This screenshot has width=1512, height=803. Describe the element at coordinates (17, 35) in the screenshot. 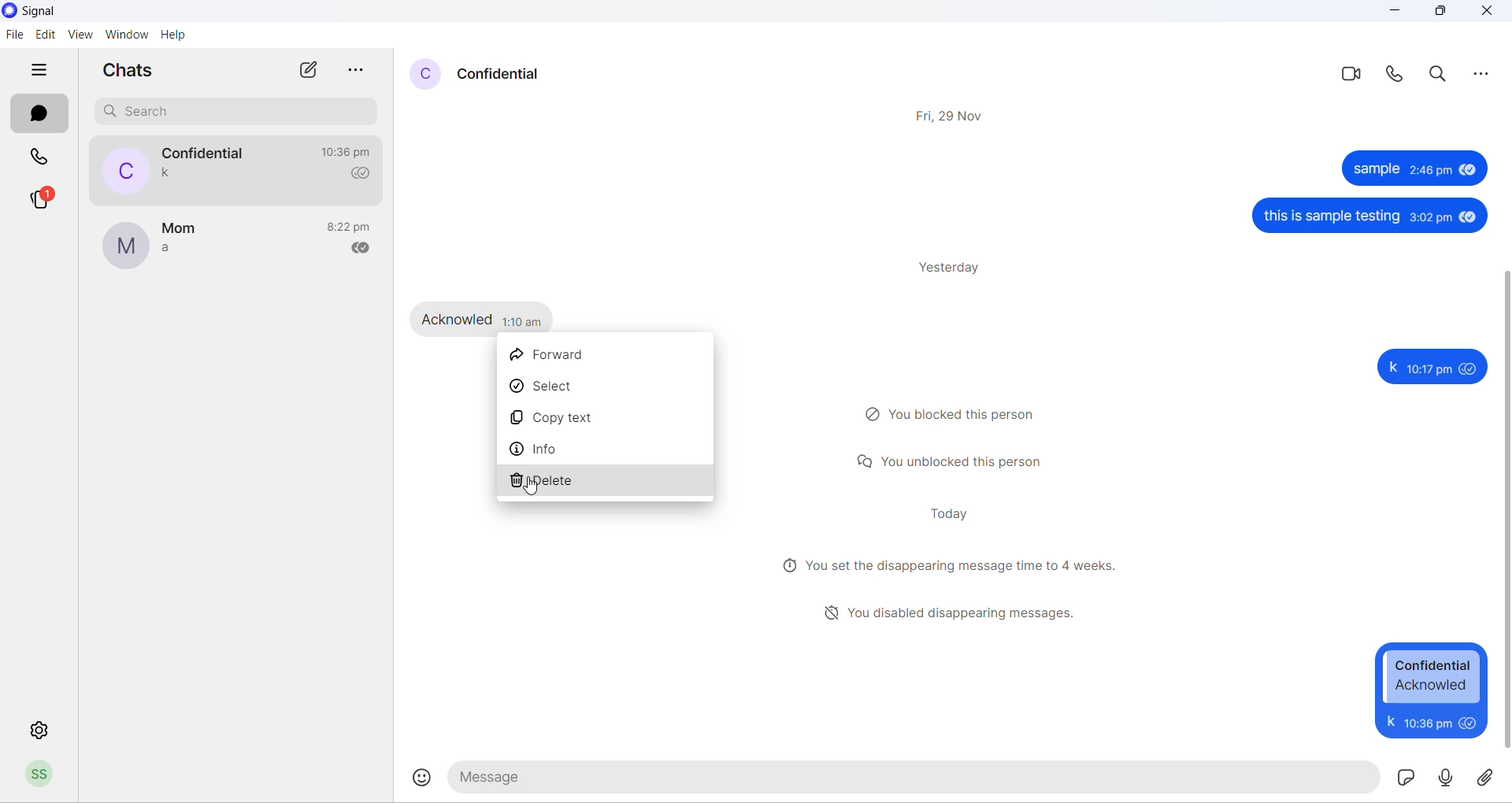

I see `file` at that location.